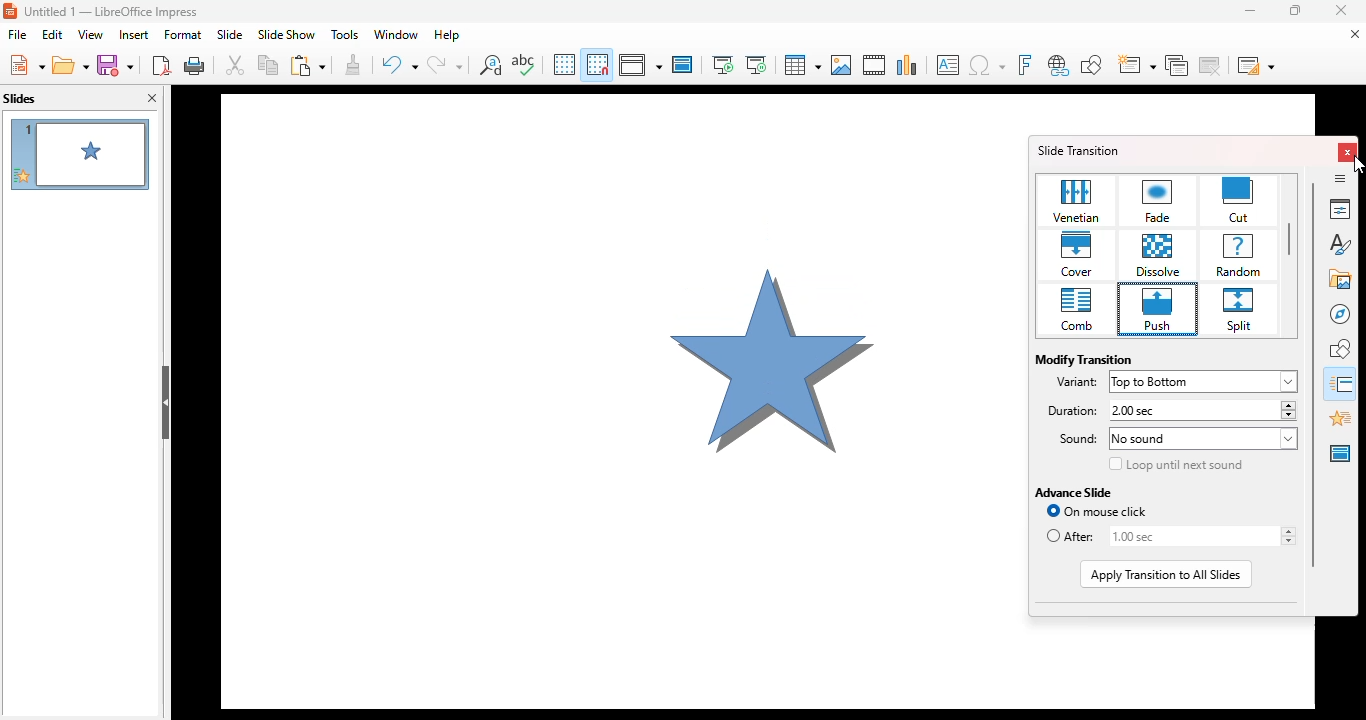  I want to click on clone formatting, so click(354, 64).